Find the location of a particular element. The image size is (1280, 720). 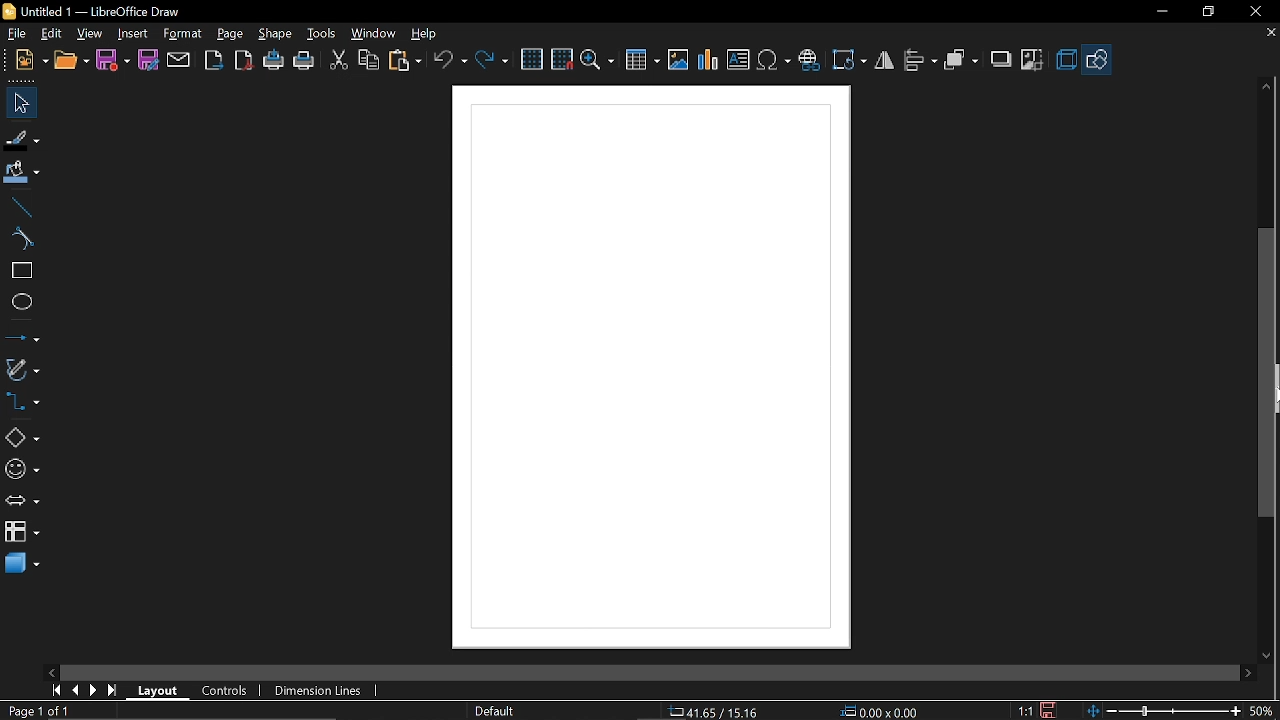

redo is located at coordinates (492, 62).